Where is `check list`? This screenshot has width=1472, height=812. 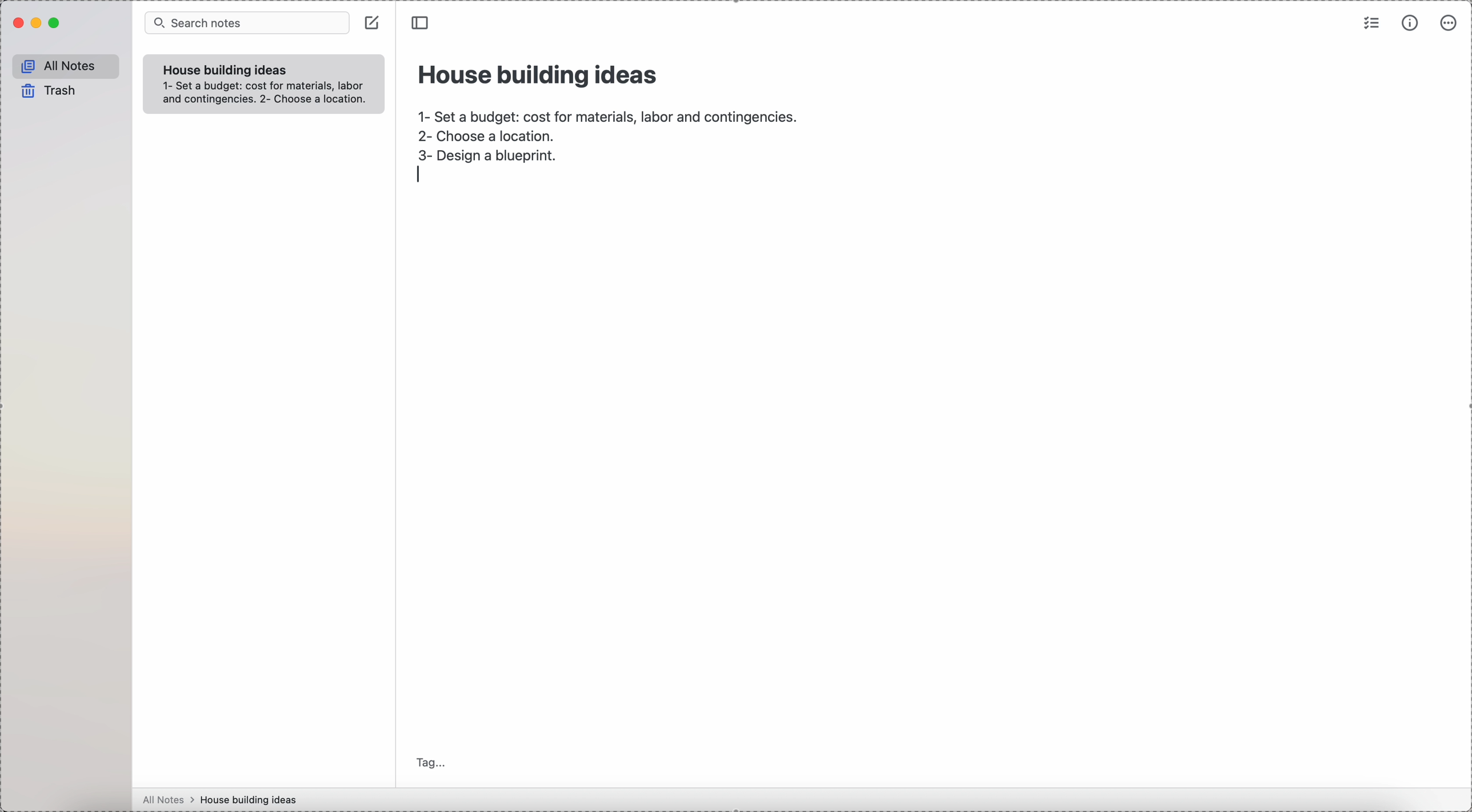
check list is located at coordinates (1370, 25).